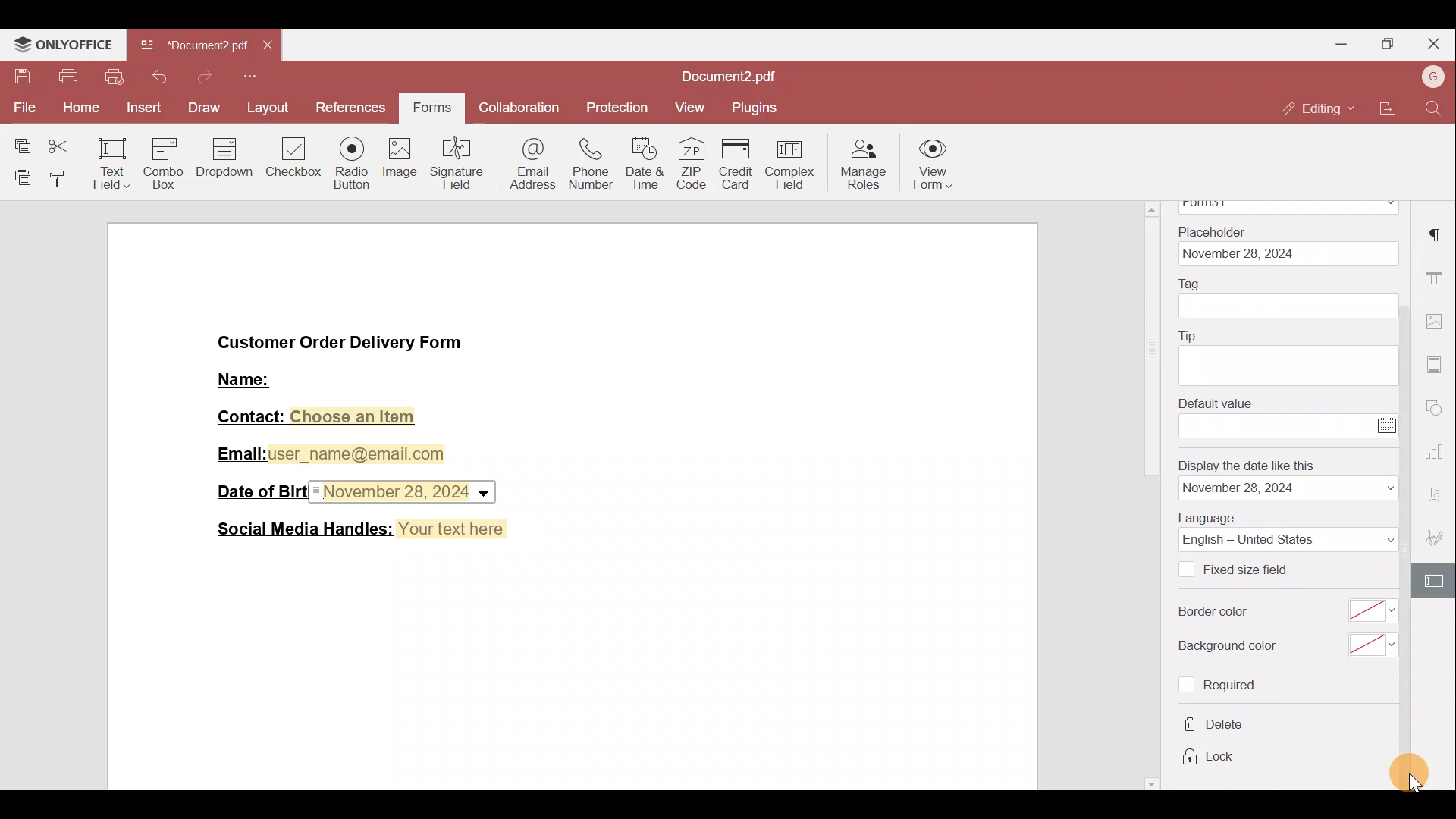  What do you see at coordinates (1436, 409) in the screenshot?
I see `Shapes settings` at bounding box center [1436, 409].